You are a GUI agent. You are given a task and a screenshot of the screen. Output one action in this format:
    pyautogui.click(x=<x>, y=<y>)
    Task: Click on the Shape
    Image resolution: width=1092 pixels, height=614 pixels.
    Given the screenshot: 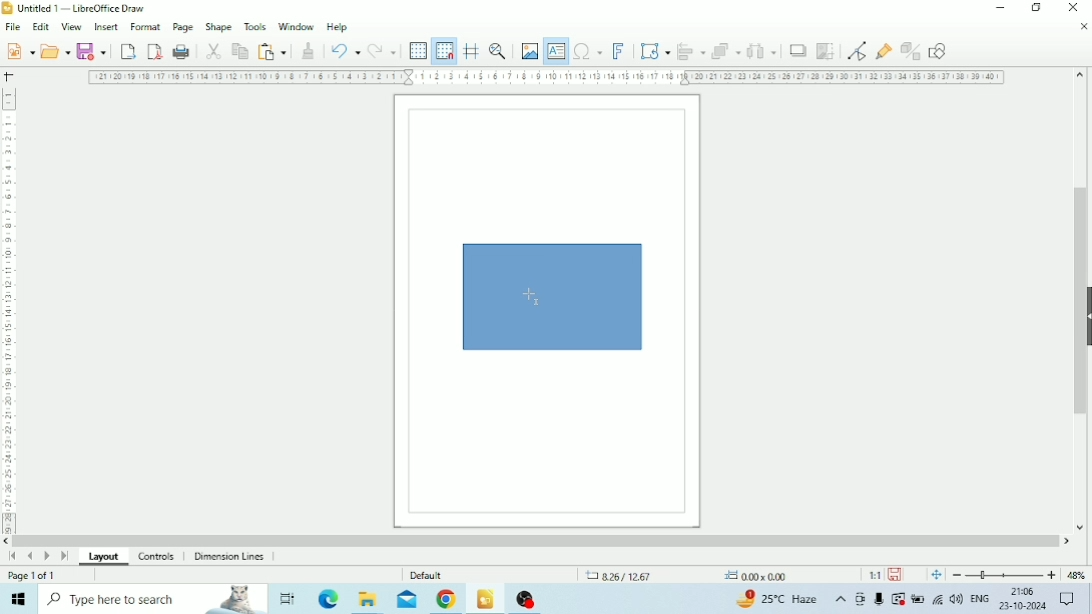 What is the action you would take?
    pyautogui.click(x=218, y=26)
    